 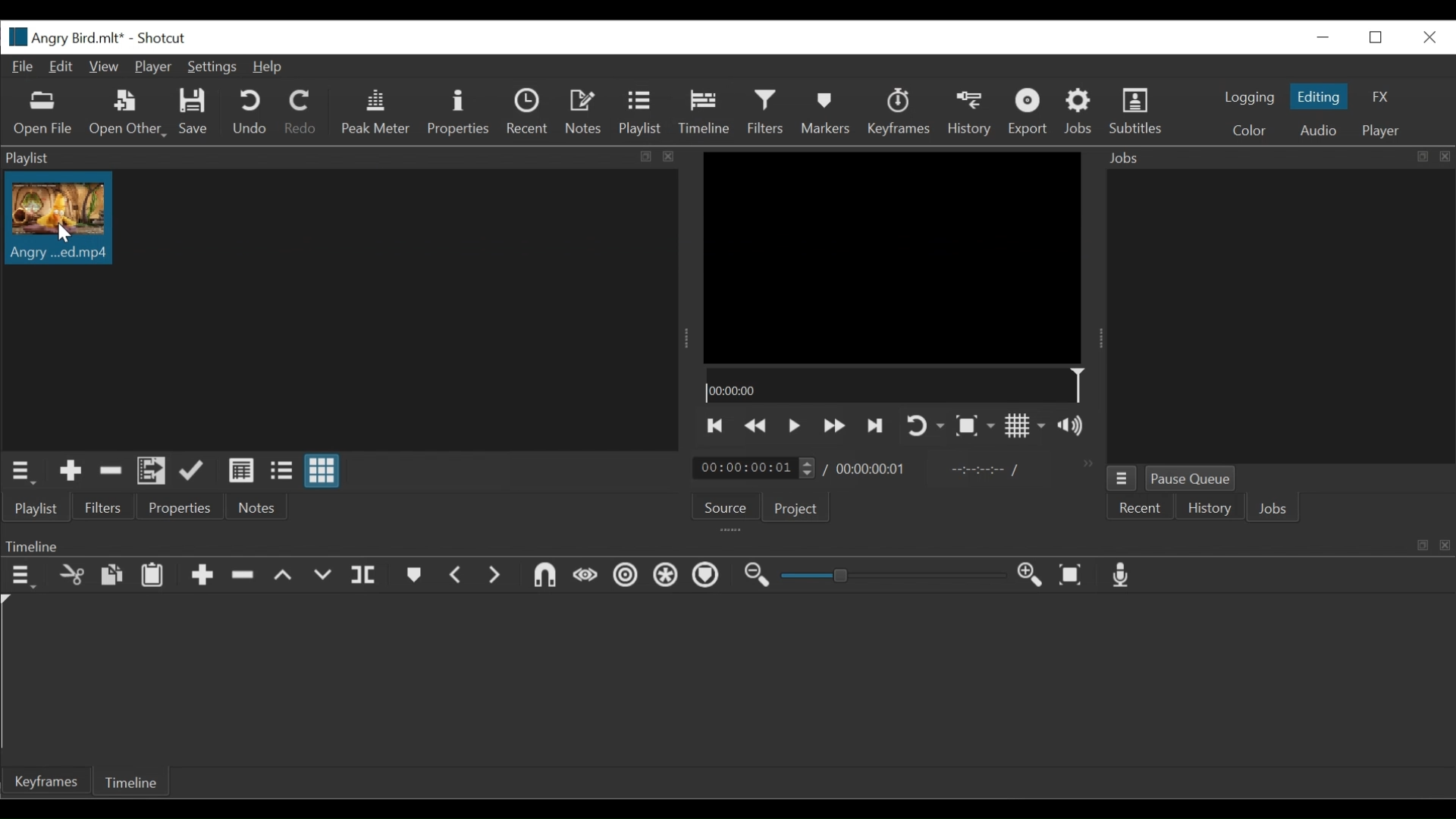 I want to click on Total Duration, so click(x=874, y=470).